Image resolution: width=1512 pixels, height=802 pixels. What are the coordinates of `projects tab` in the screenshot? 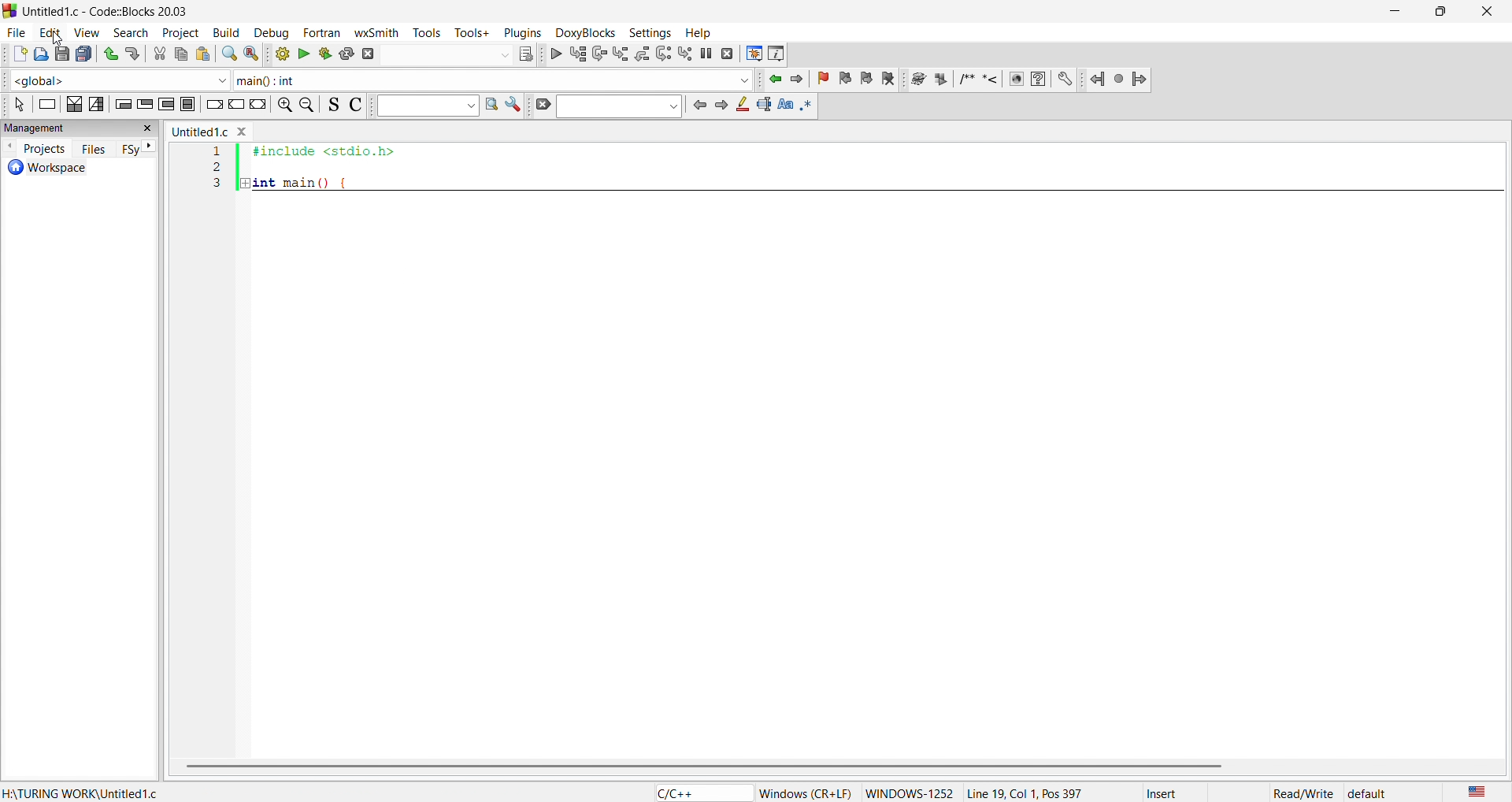 It's located at (35, 147).